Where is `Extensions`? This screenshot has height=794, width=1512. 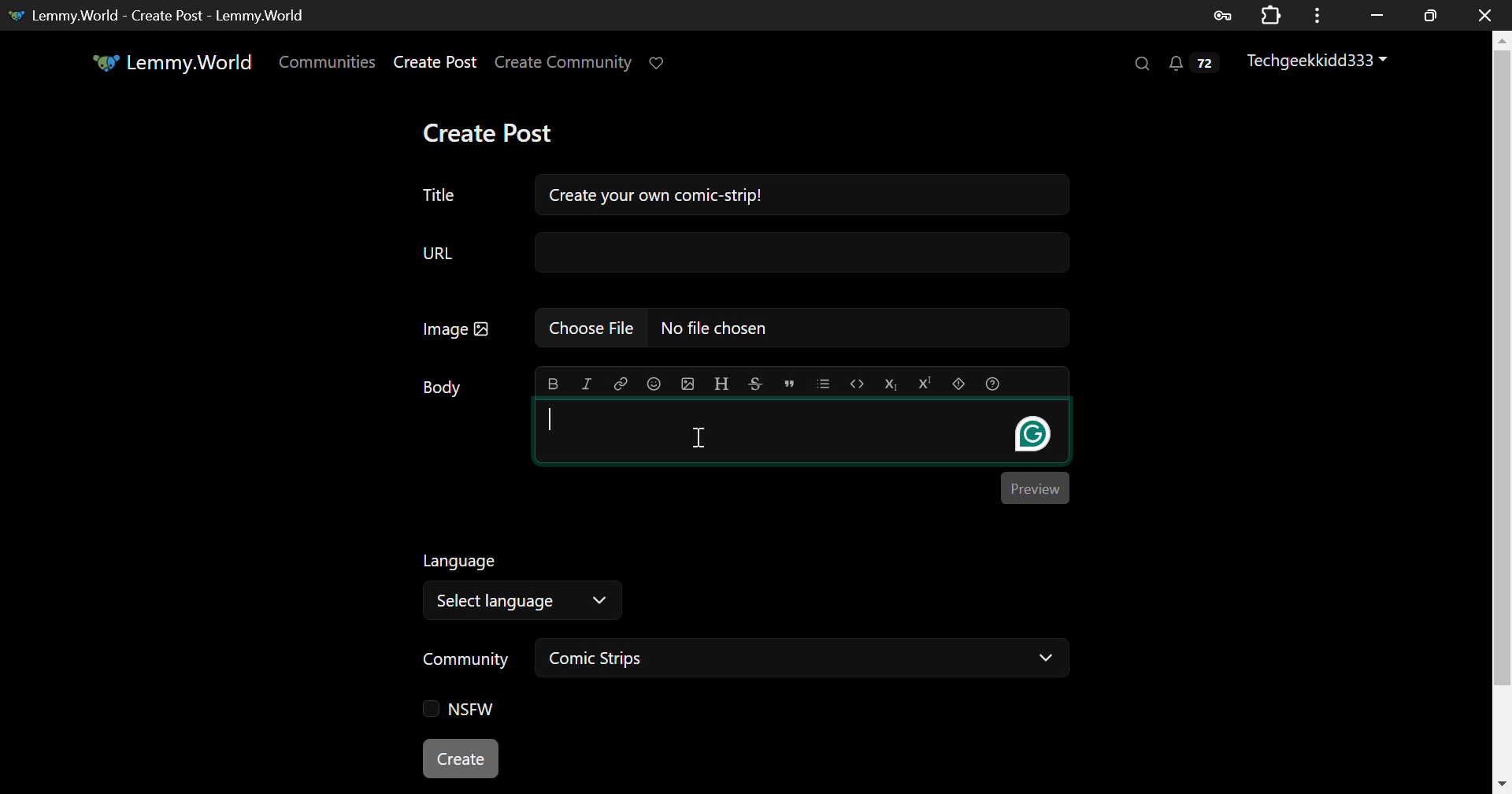
Extensions is located at coordinates (1274, 14).